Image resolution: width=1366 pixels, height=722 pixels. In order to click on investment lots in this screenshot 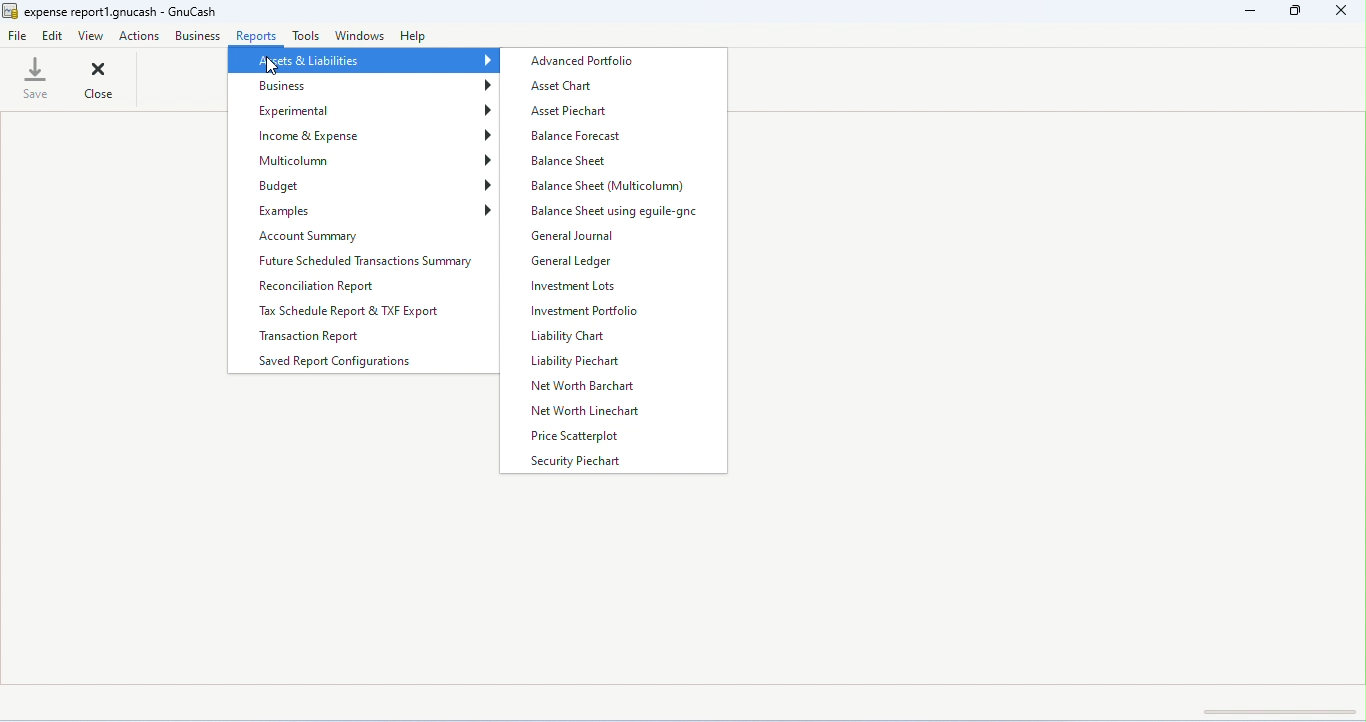, I will do `click(573, 286)`.